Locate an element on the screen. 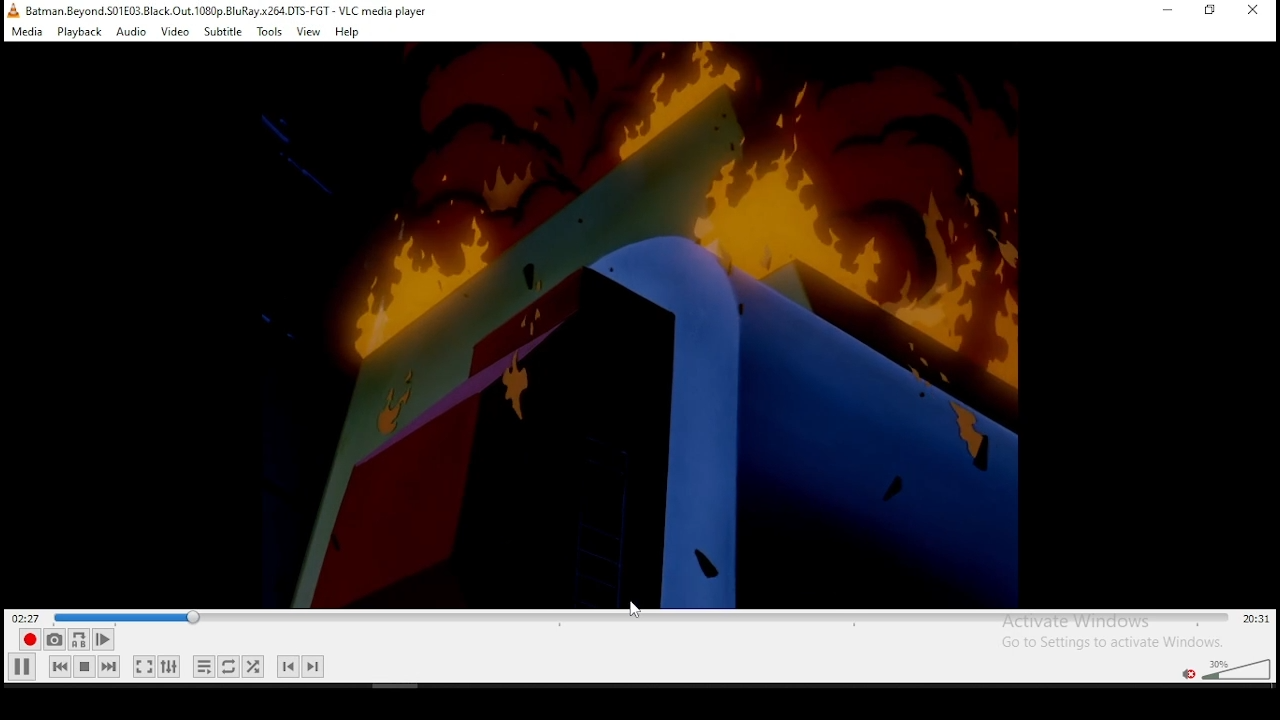 The image size is (1280, 720). restore is located at coordinates (1211, 11).